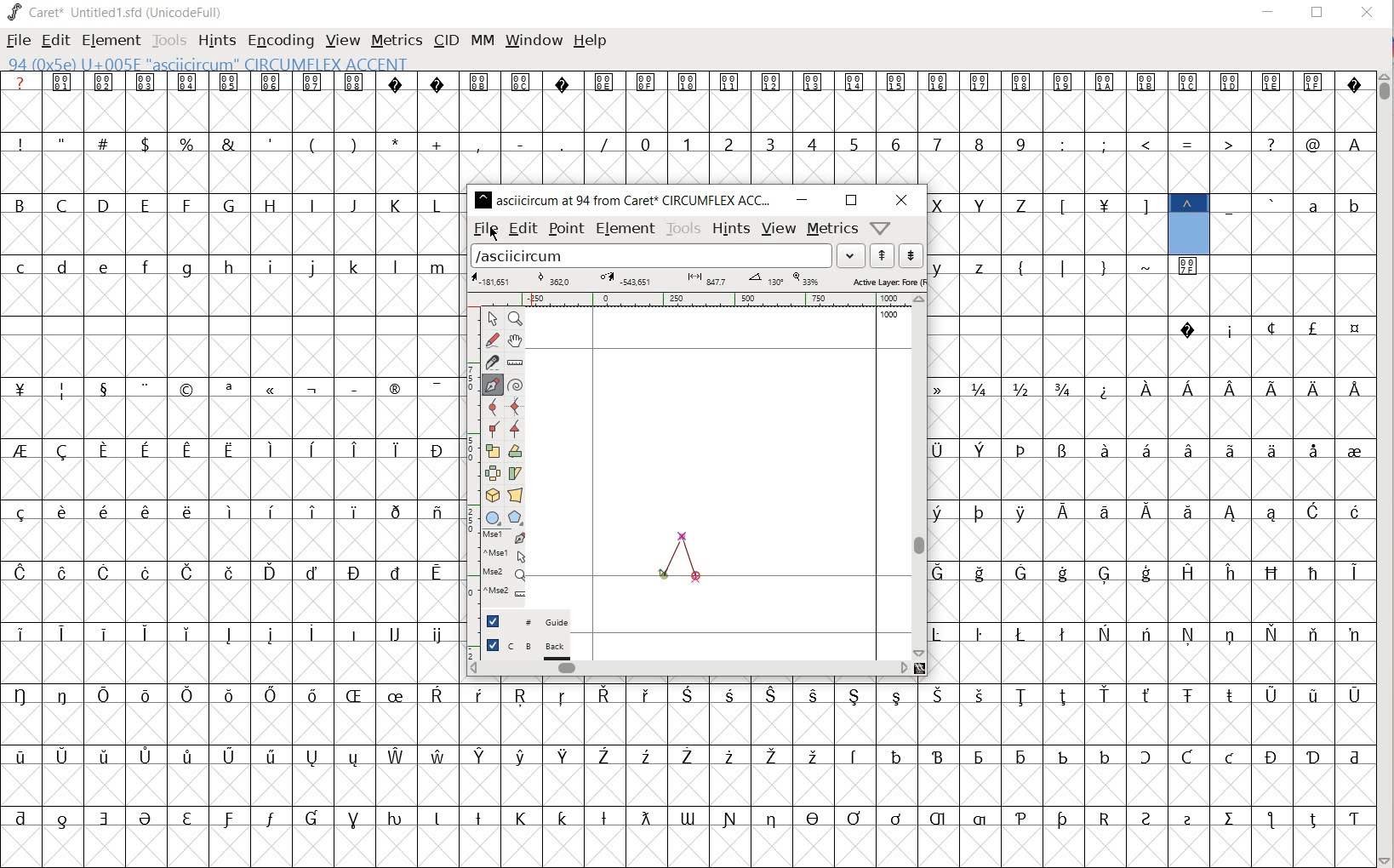 Image resolution: width=1394 pixels, height=868 pixels. Describe the element at coordinates (494, 517) in the screenshot. I see `rectangle or ellipse` at that location.